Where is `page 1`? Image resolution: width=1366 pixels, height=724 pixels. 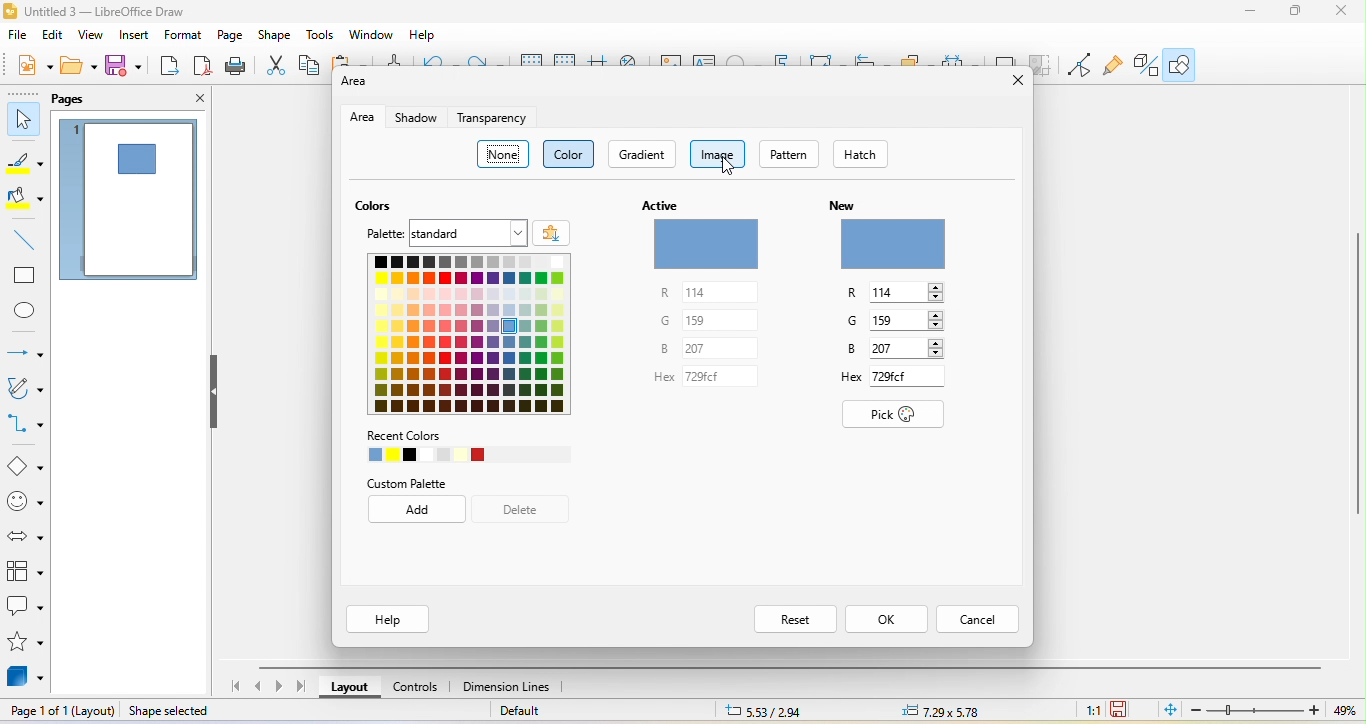 page 1 is located at coordinates (132, 202).